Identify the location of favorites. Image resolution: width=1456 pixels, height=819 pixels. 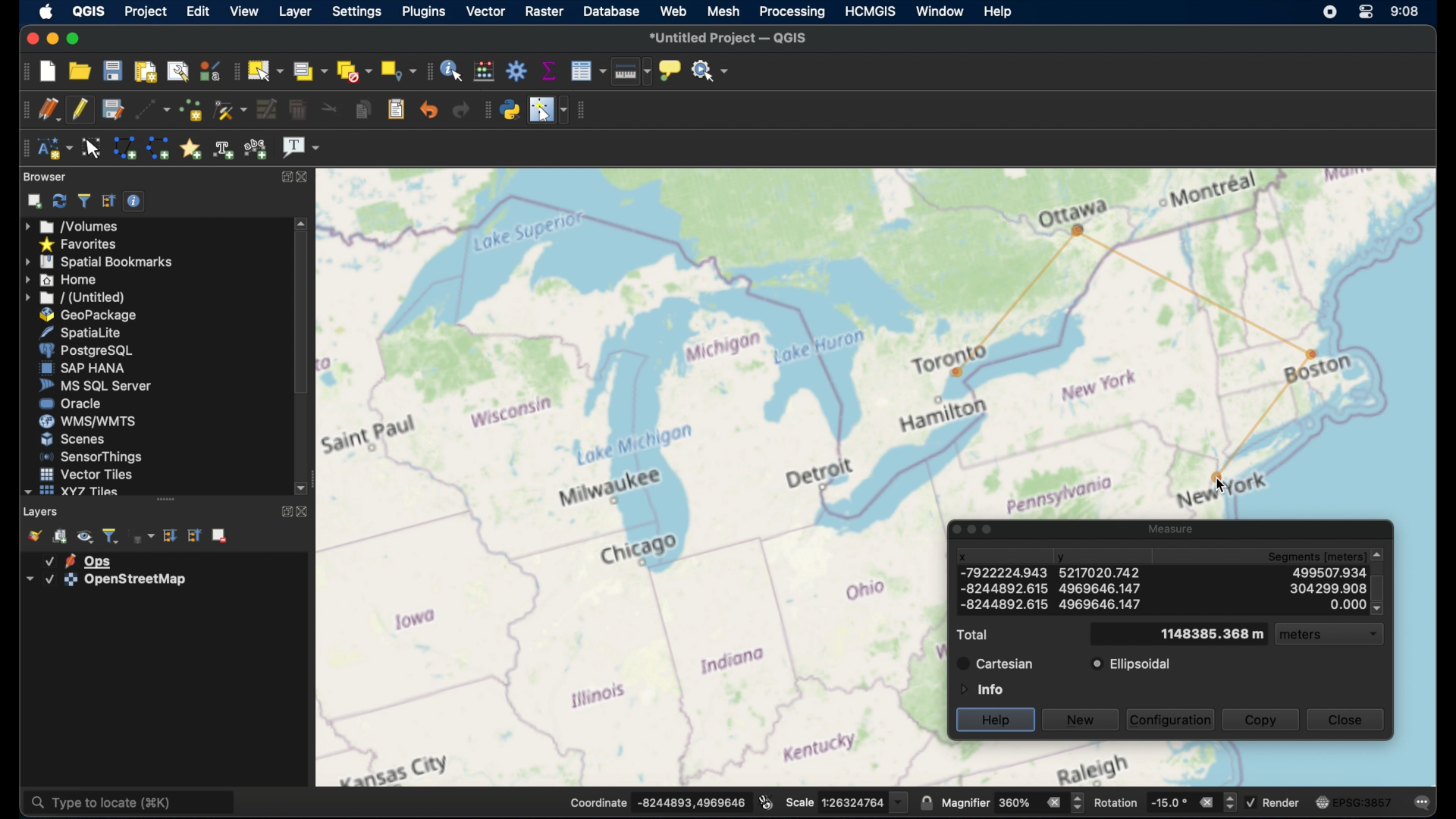
(80, 243).